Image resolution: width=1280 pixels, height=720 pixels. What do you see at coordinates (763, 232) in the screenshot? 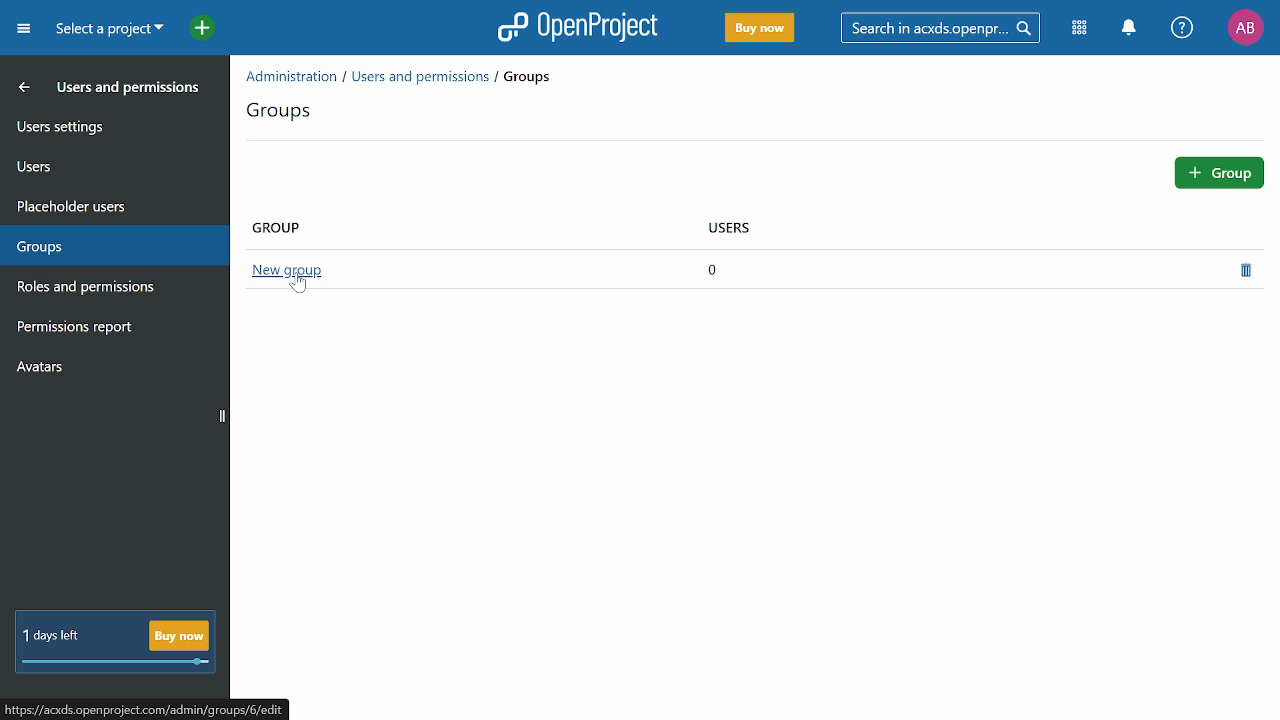
I see `user` at bounding box center [763, 232].